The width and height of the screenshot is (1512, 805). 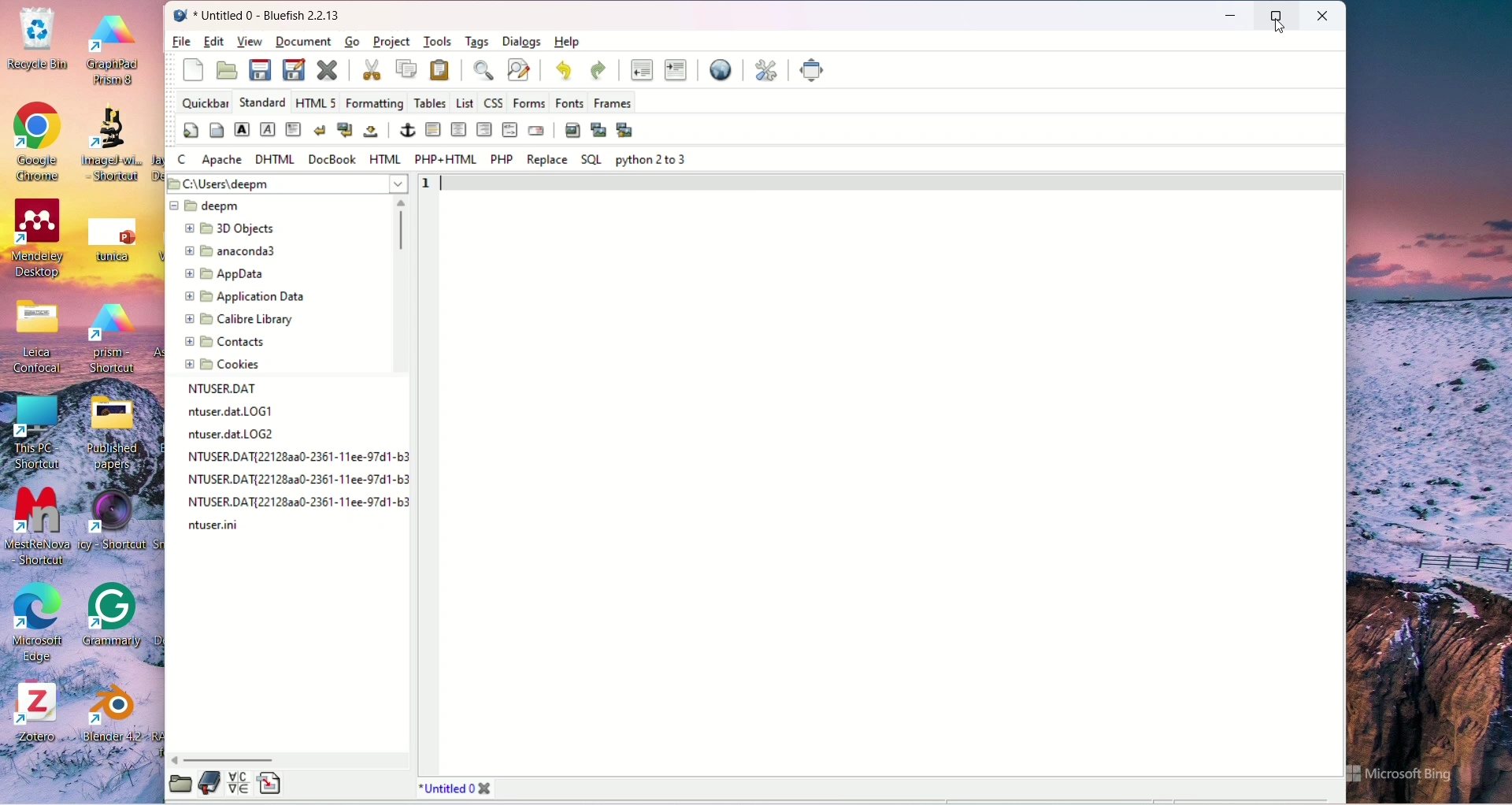 I want to click on cookies, so click(x=222, y=365).